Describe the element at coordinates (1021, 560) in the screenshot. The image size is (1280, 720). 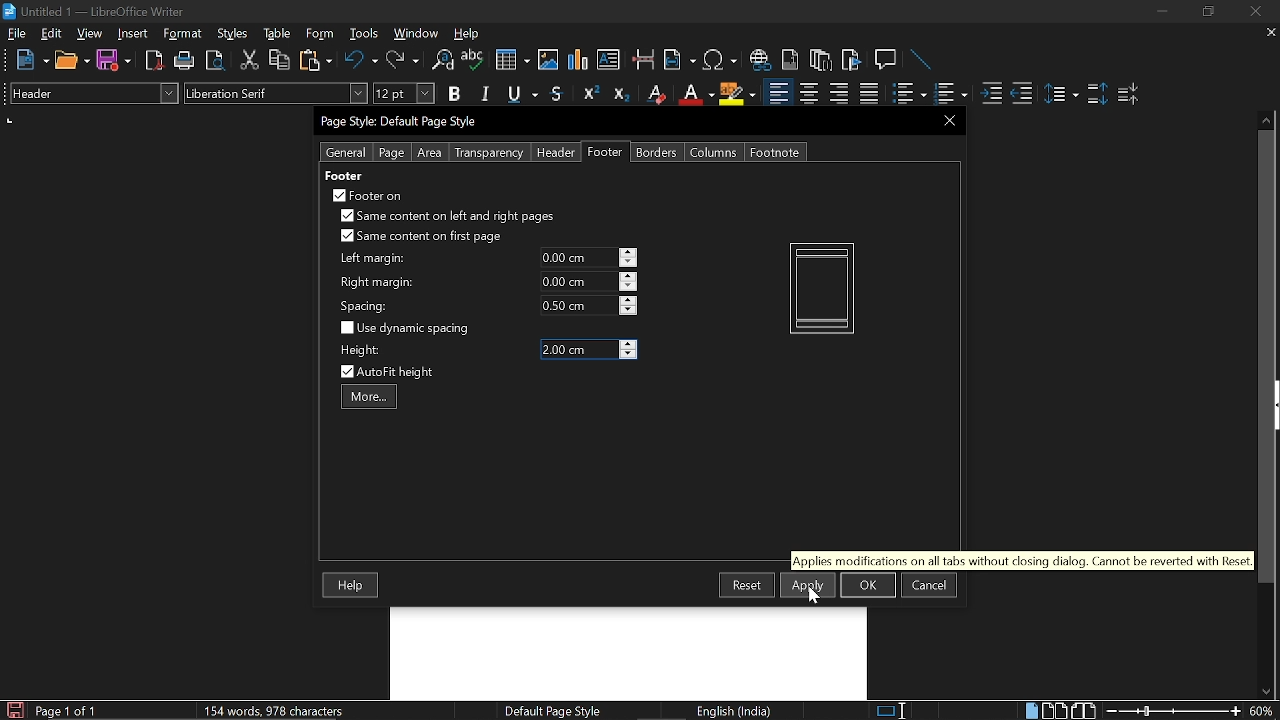
I see `applies modifications on all tabs without closing dialog. Cannot be reverted with reset` at that location.